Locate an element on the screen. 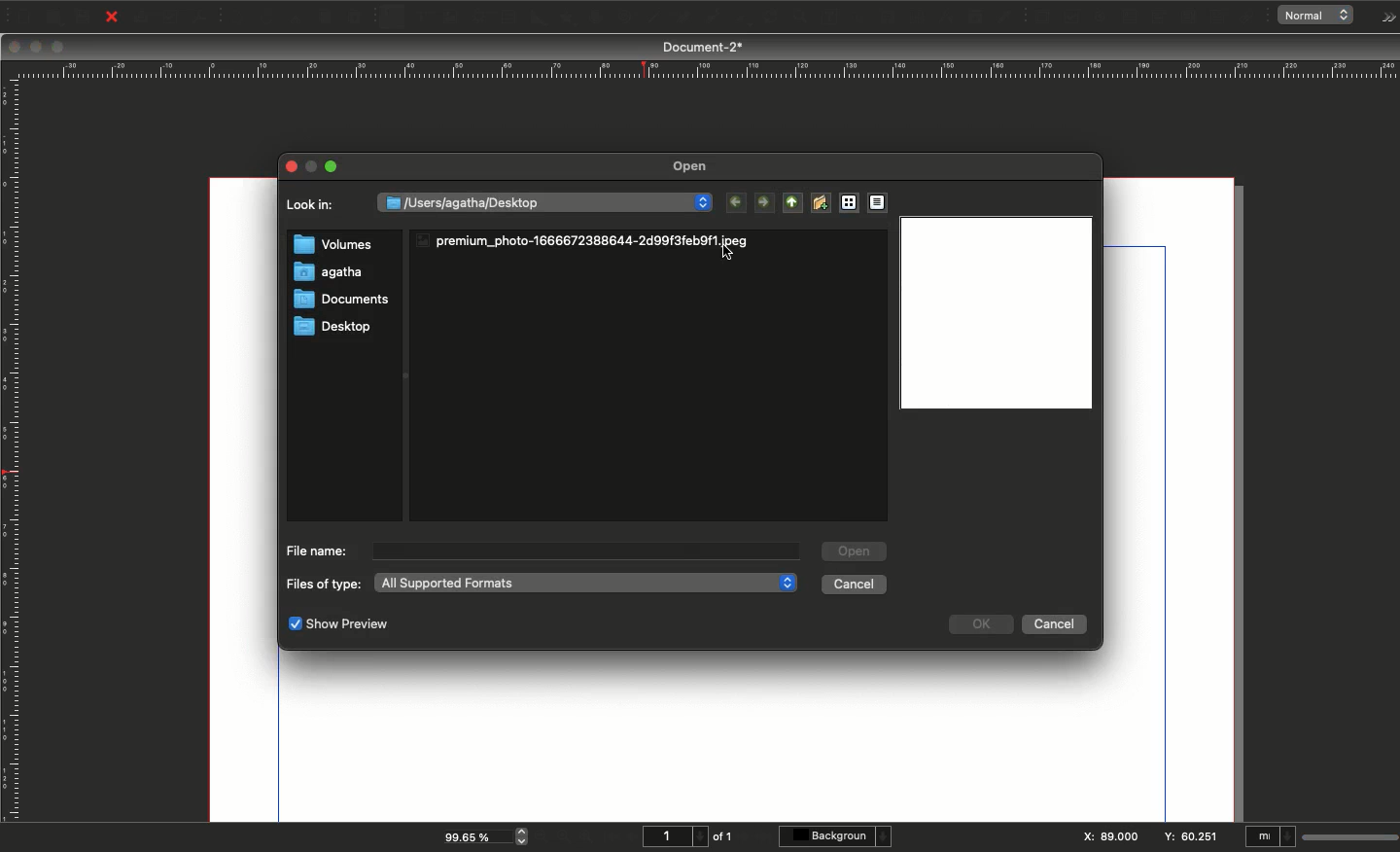  Previous is located at coordinates (740, 204).